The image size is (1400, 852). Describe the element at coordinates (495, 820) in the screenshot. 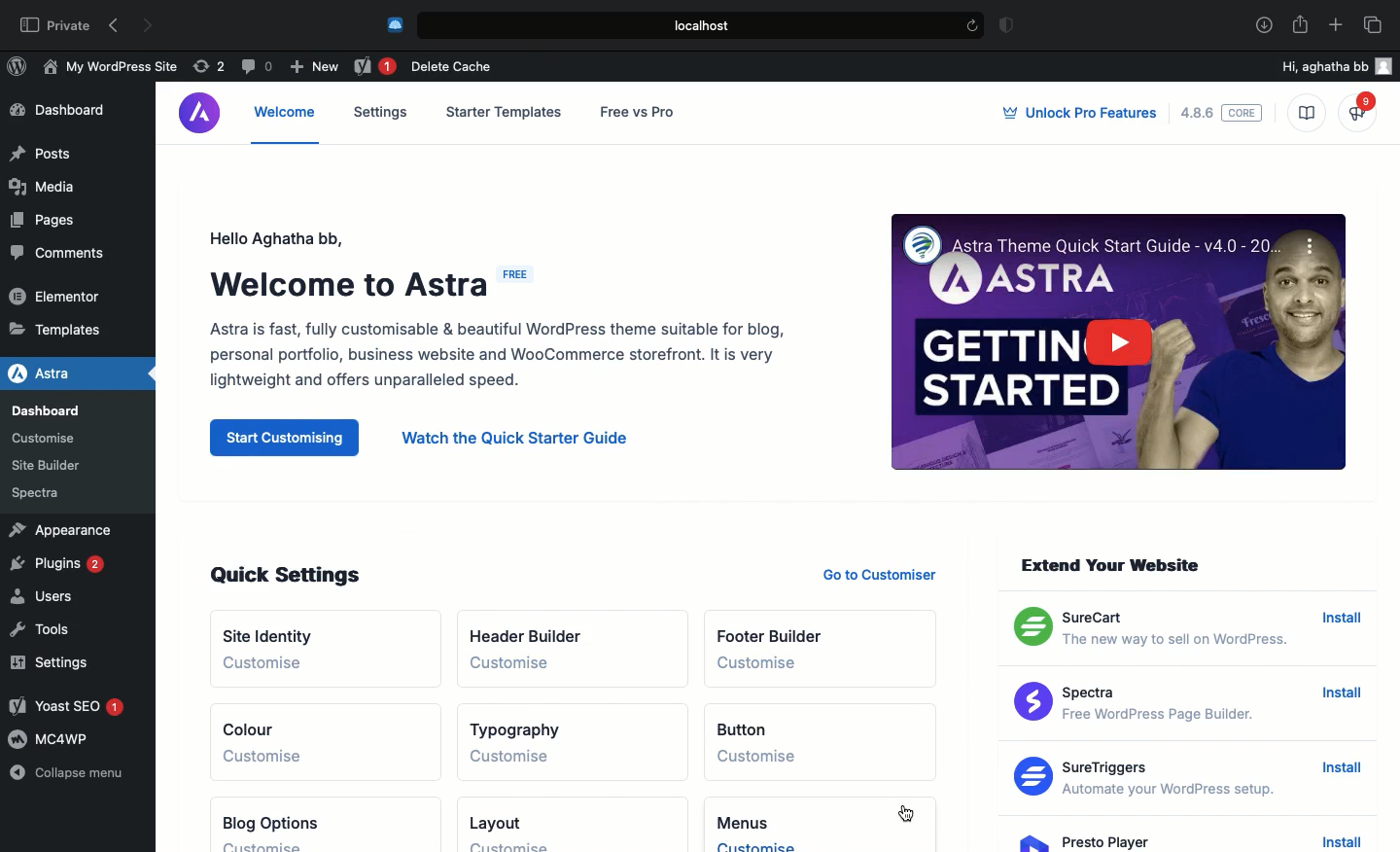

I see `Layout` at that location.